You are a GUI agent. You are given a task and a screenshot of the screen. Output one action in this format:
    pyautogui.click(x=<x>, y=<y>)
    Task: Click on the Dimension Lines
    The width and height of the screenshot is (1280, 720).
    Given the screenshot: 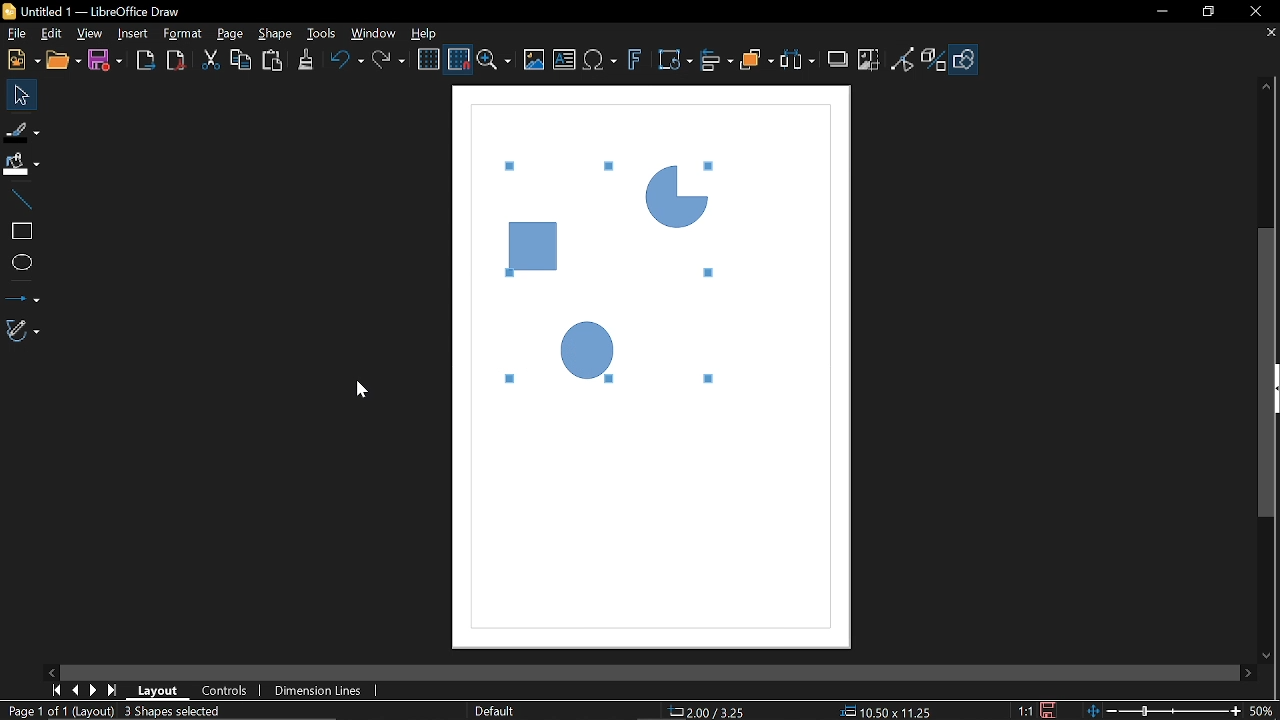 What is the action you would take?
    pyautogui.click(x=319, y=691)
    